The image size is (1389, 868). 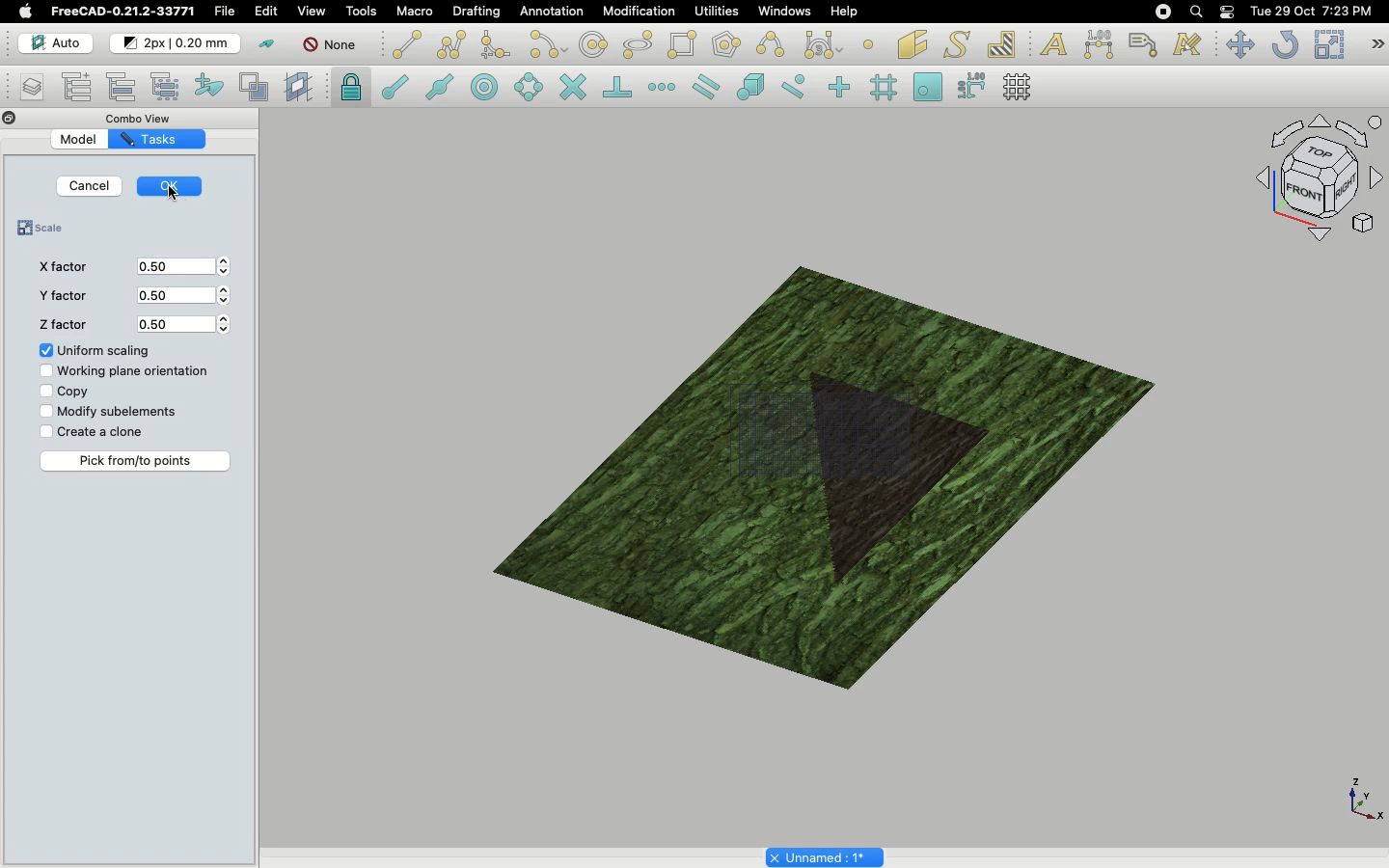 I want to click on Hatch, so click(x=1003, y=42).